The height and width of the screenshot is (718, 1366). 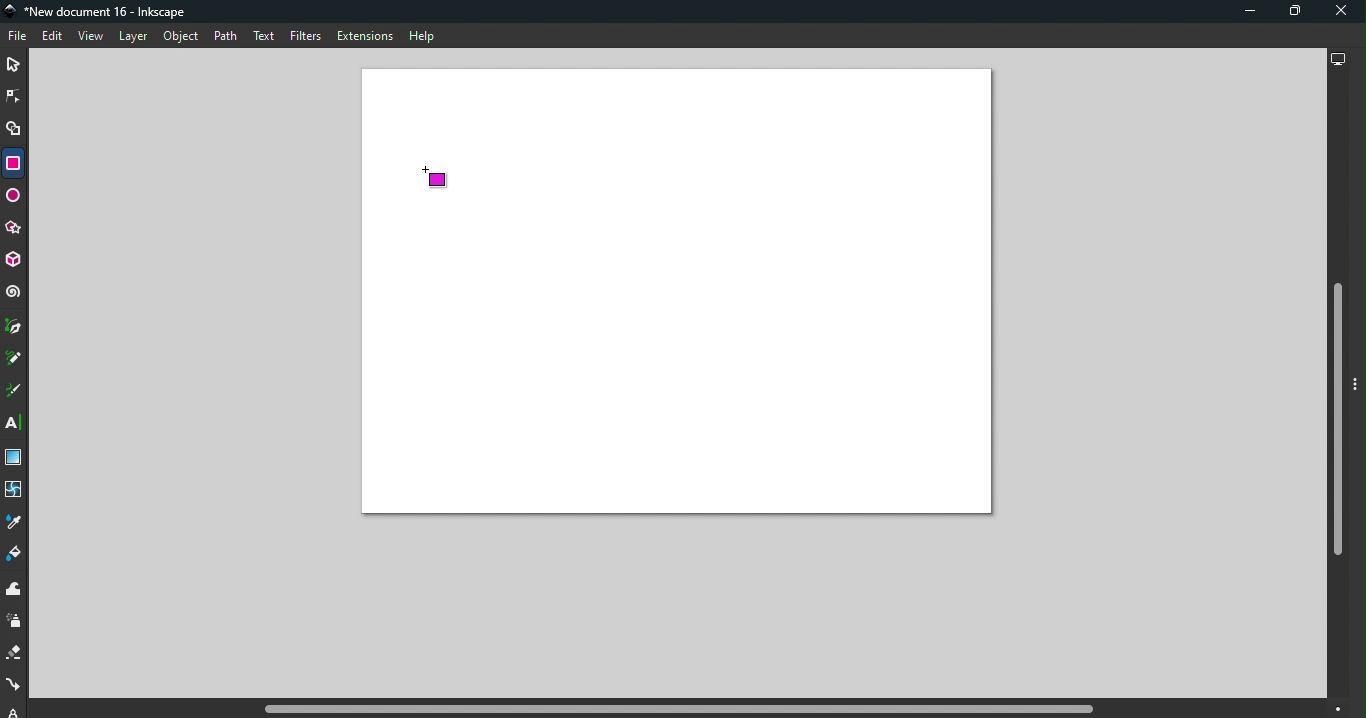 What do you see at coordinates (89, 36) in the screenshot?
I see `View` at bounding box center [89, 36].